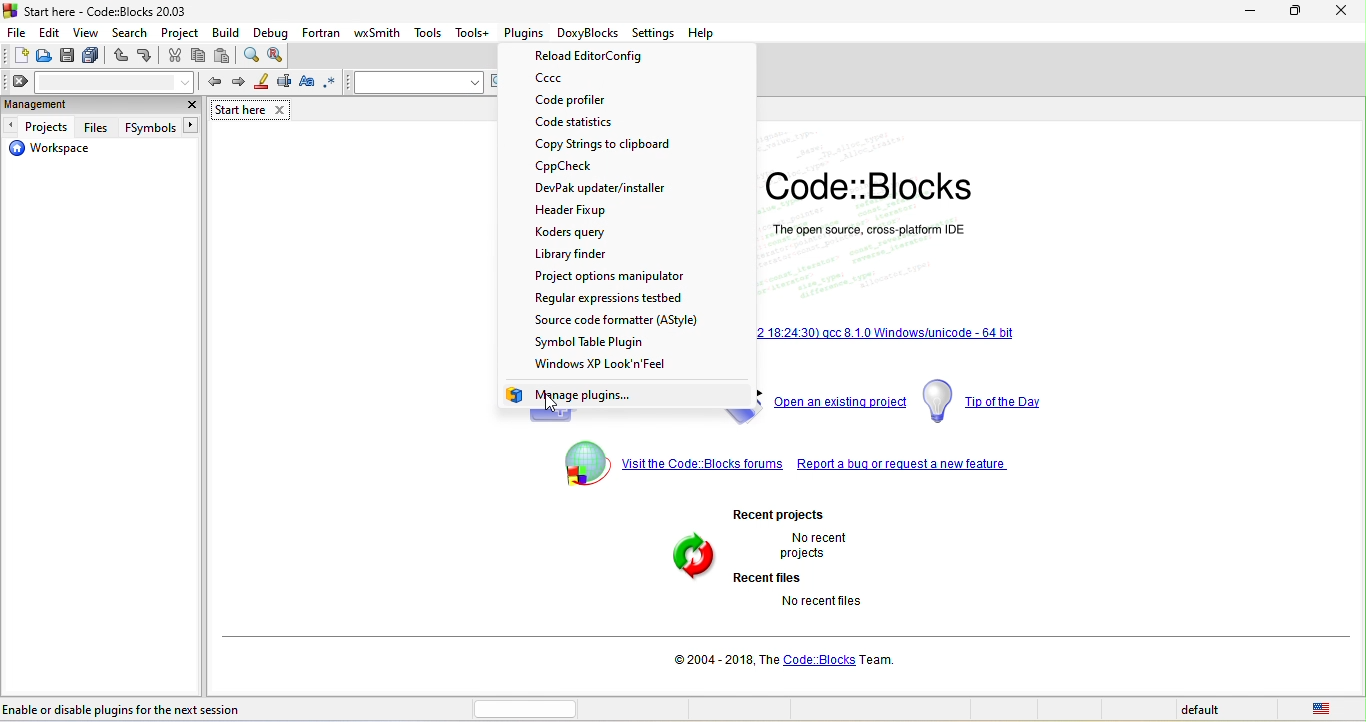 The height and width of the screenshot is (722, 1366). I want to click on search to text, so click(417, 82).